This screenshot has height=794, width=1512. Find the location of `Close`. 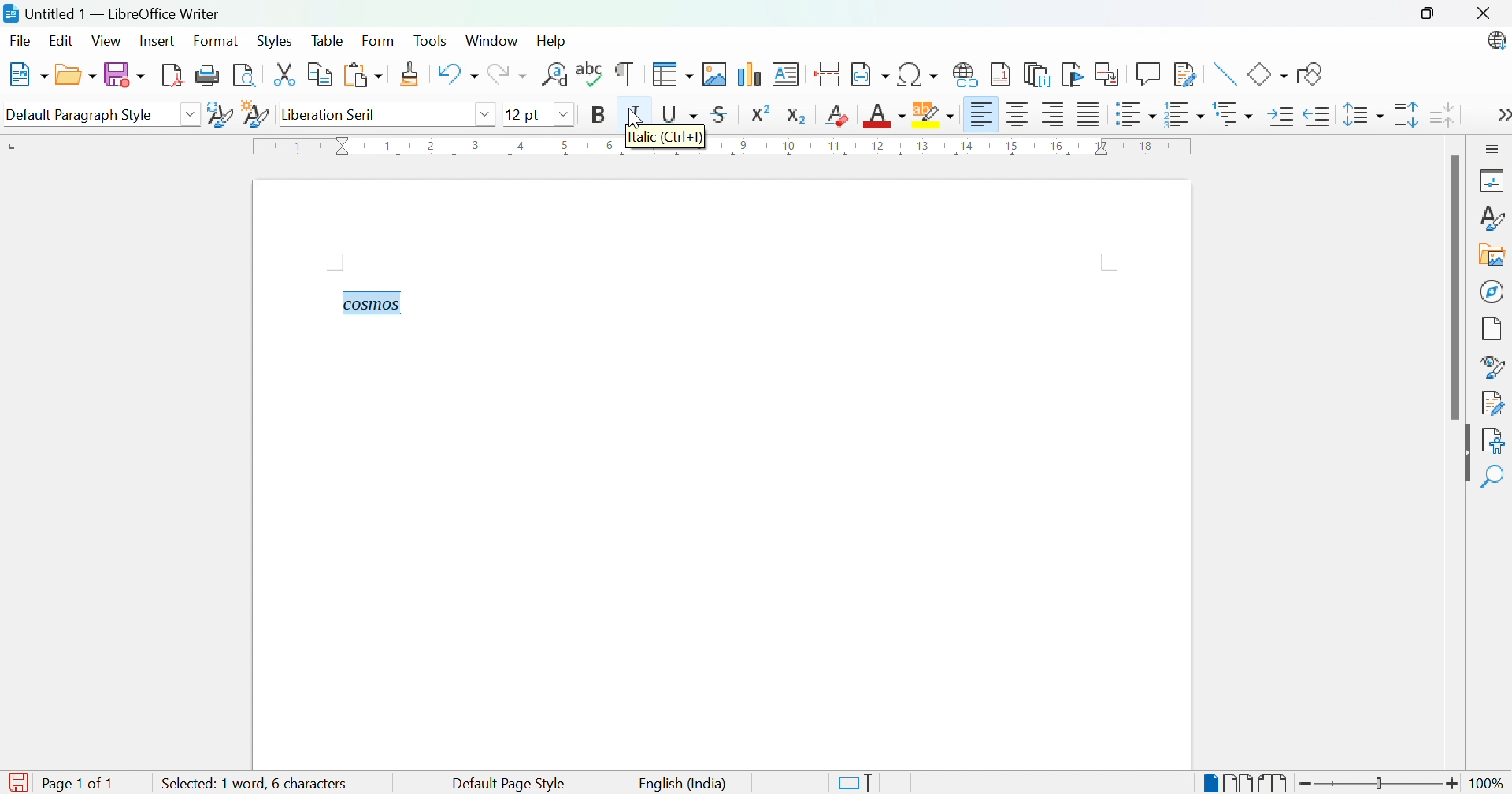

Close is located at coordinates (1488, 17).